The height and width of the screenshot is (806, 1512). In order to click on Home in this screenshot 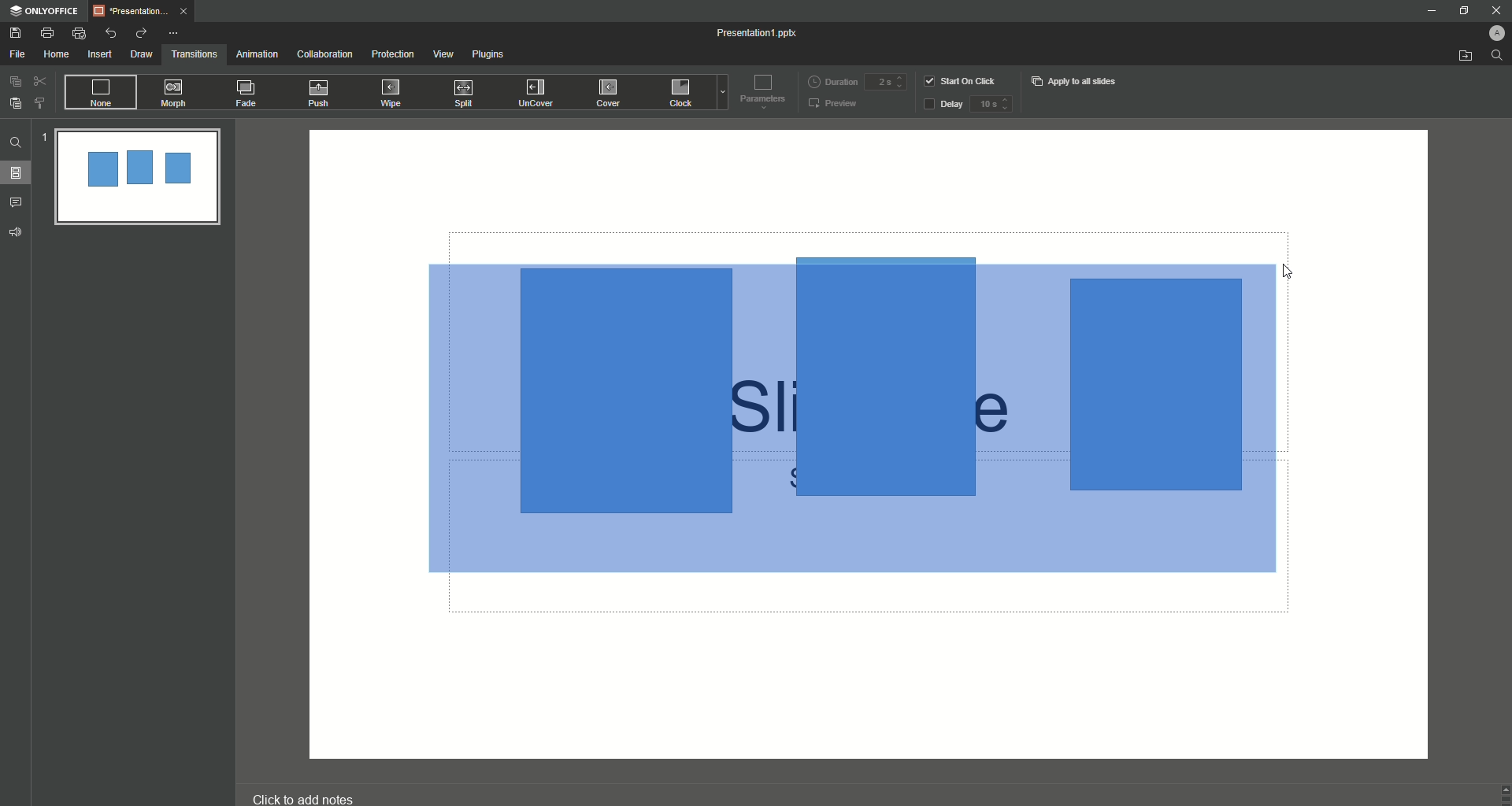, I will do `click(57, 55)`.